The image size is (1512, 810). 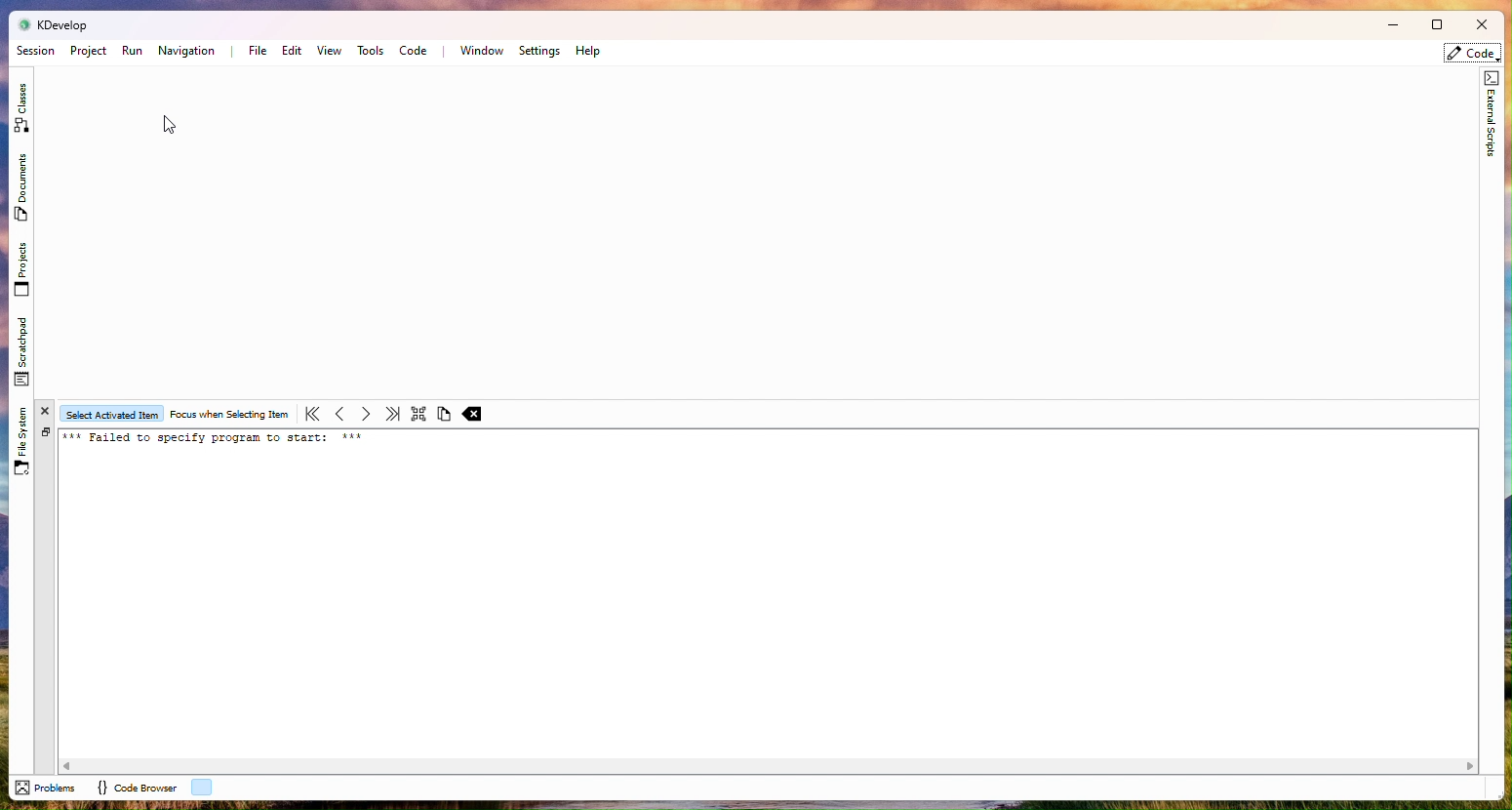 I want to click on Project, so click(x=88, y=51).